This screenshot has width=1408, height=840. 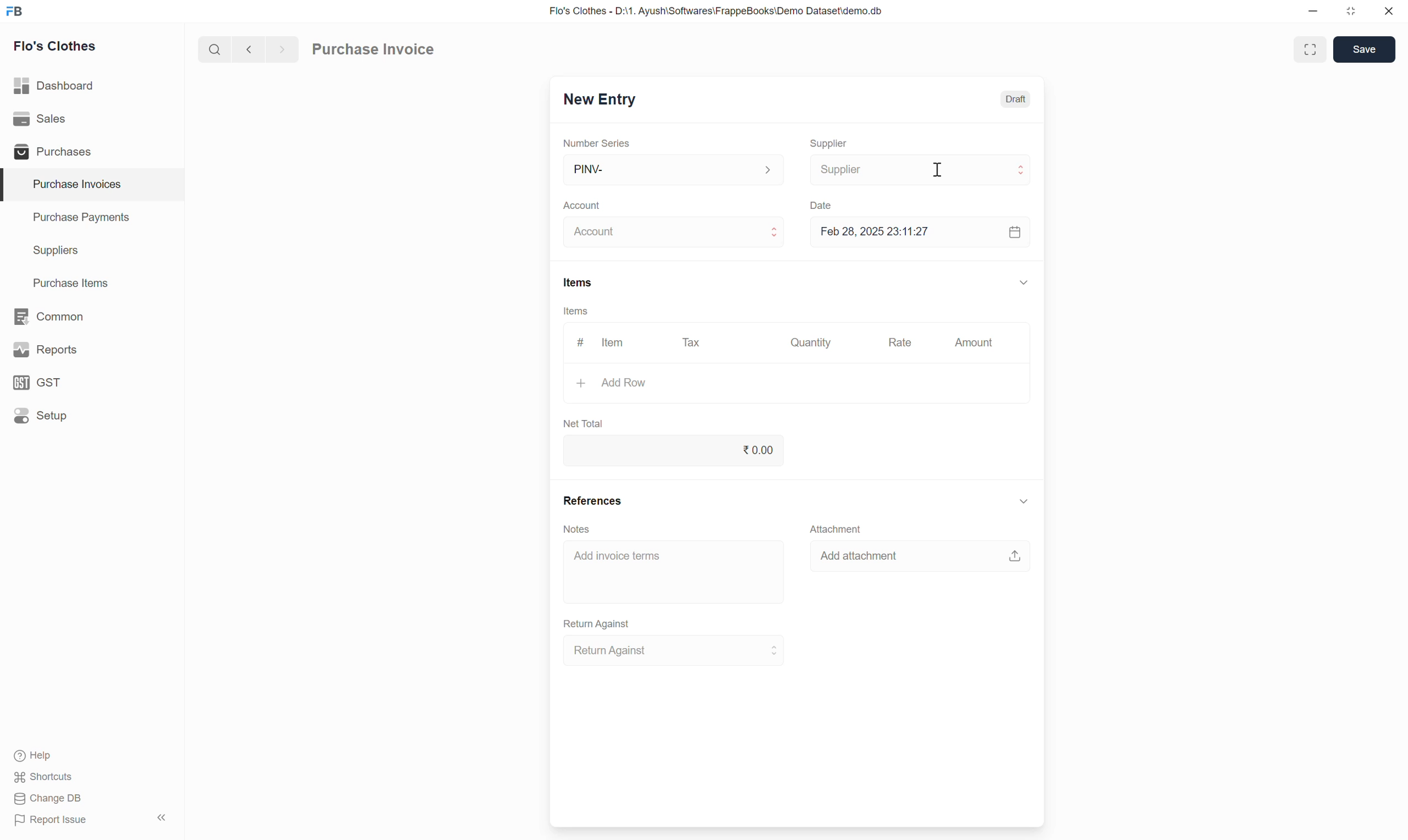 What do you see at coordinates (674, 572) in the screenshot?
I see `Add invoice terms` at bounding box center [674, 572].